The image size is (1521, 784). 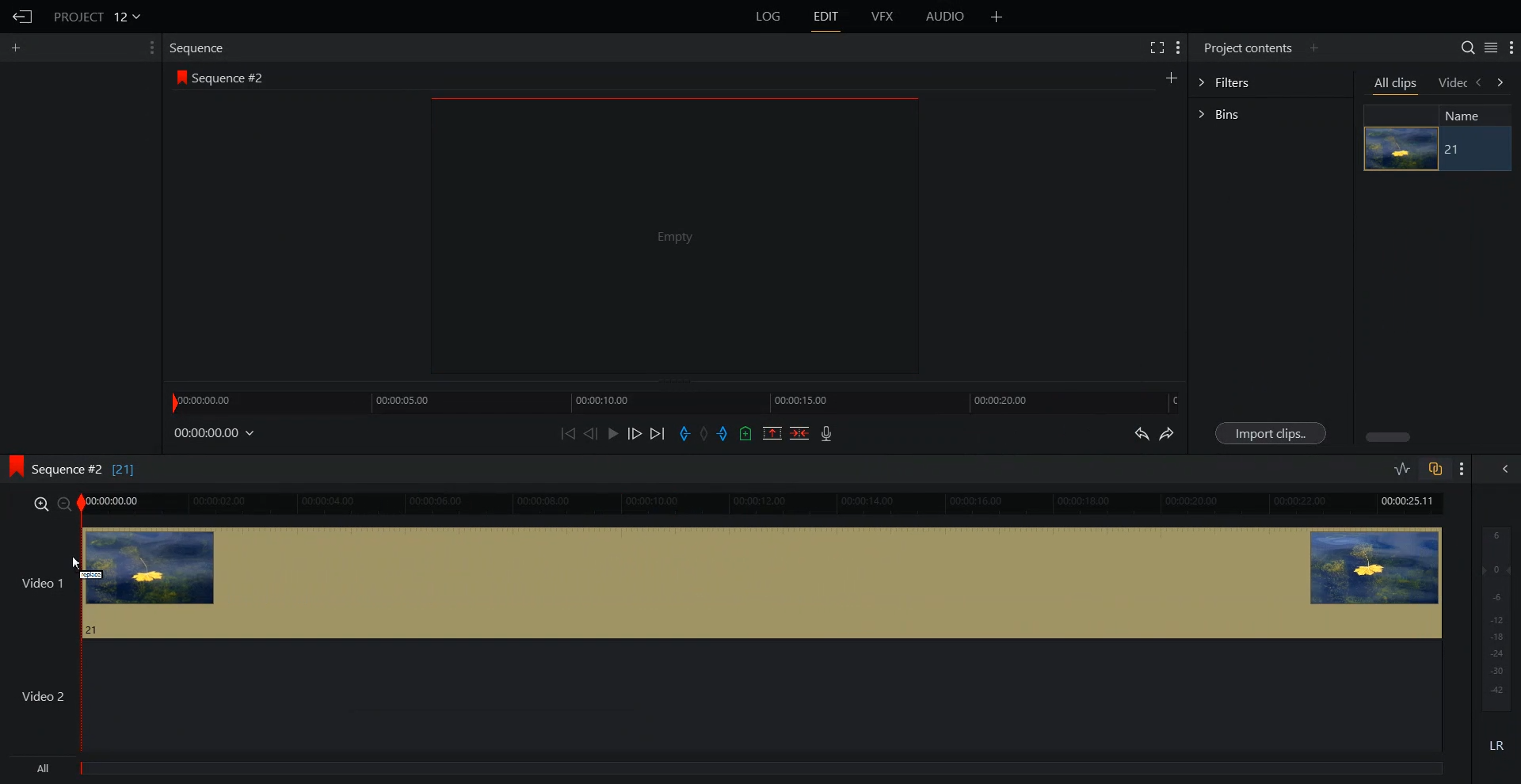 I want to click on icon, so click(x=14, y=466).